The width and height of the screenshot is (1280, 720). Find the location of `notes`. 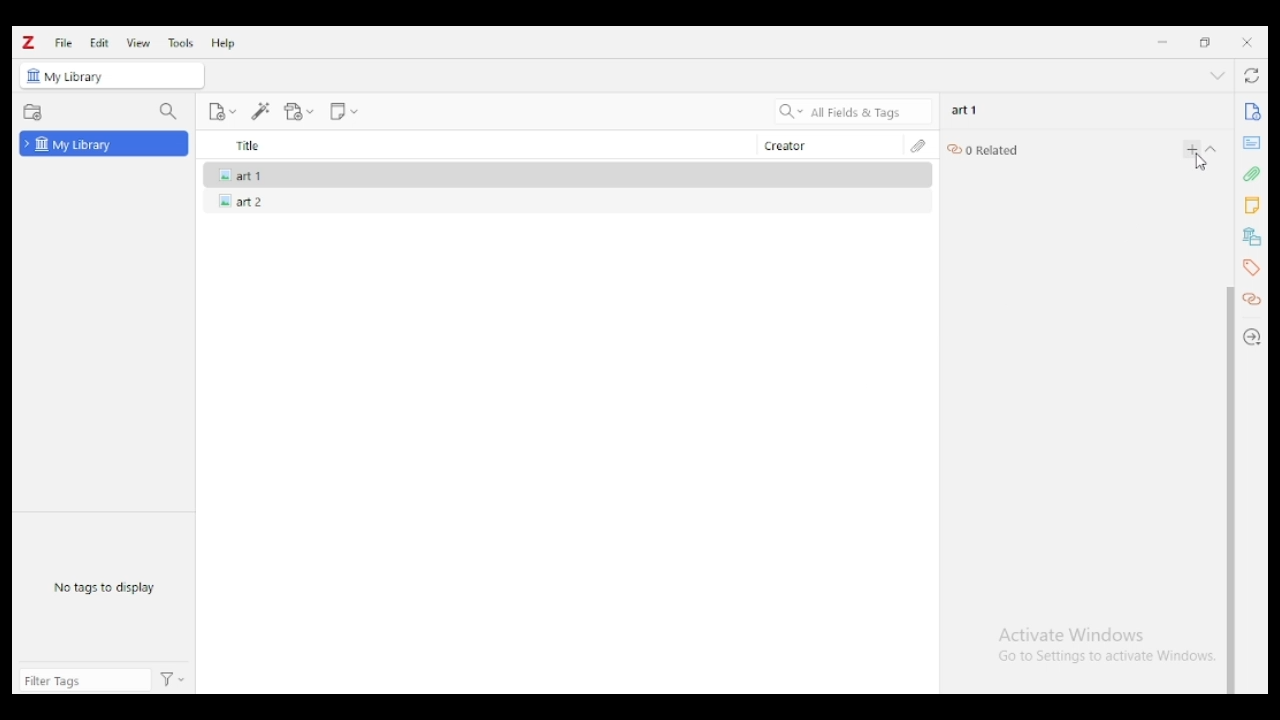

notes is located at coordinates (1251, 206).